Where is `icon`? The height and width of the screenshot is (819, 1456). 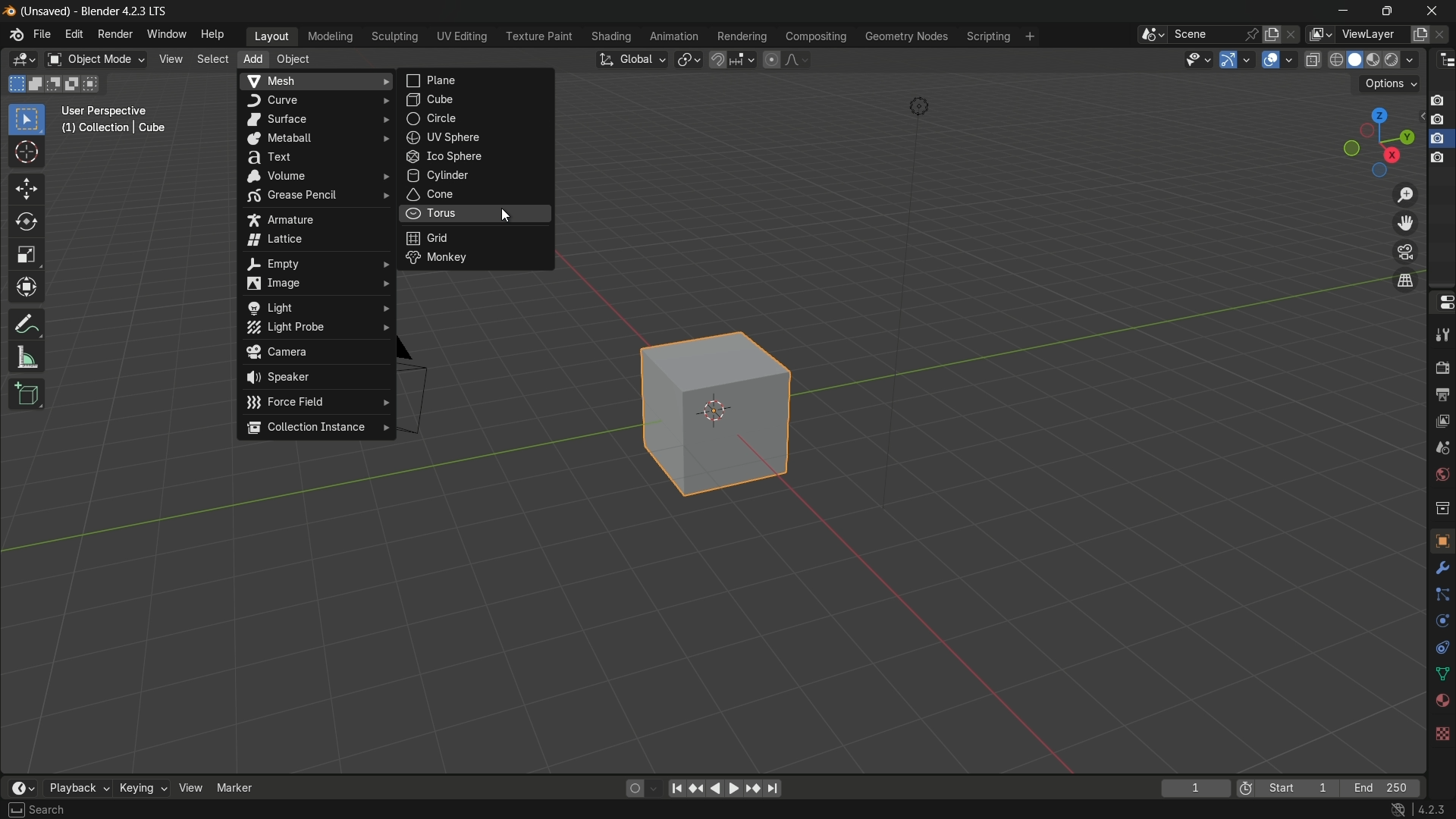 icon is located at coordinates (1246, 790).